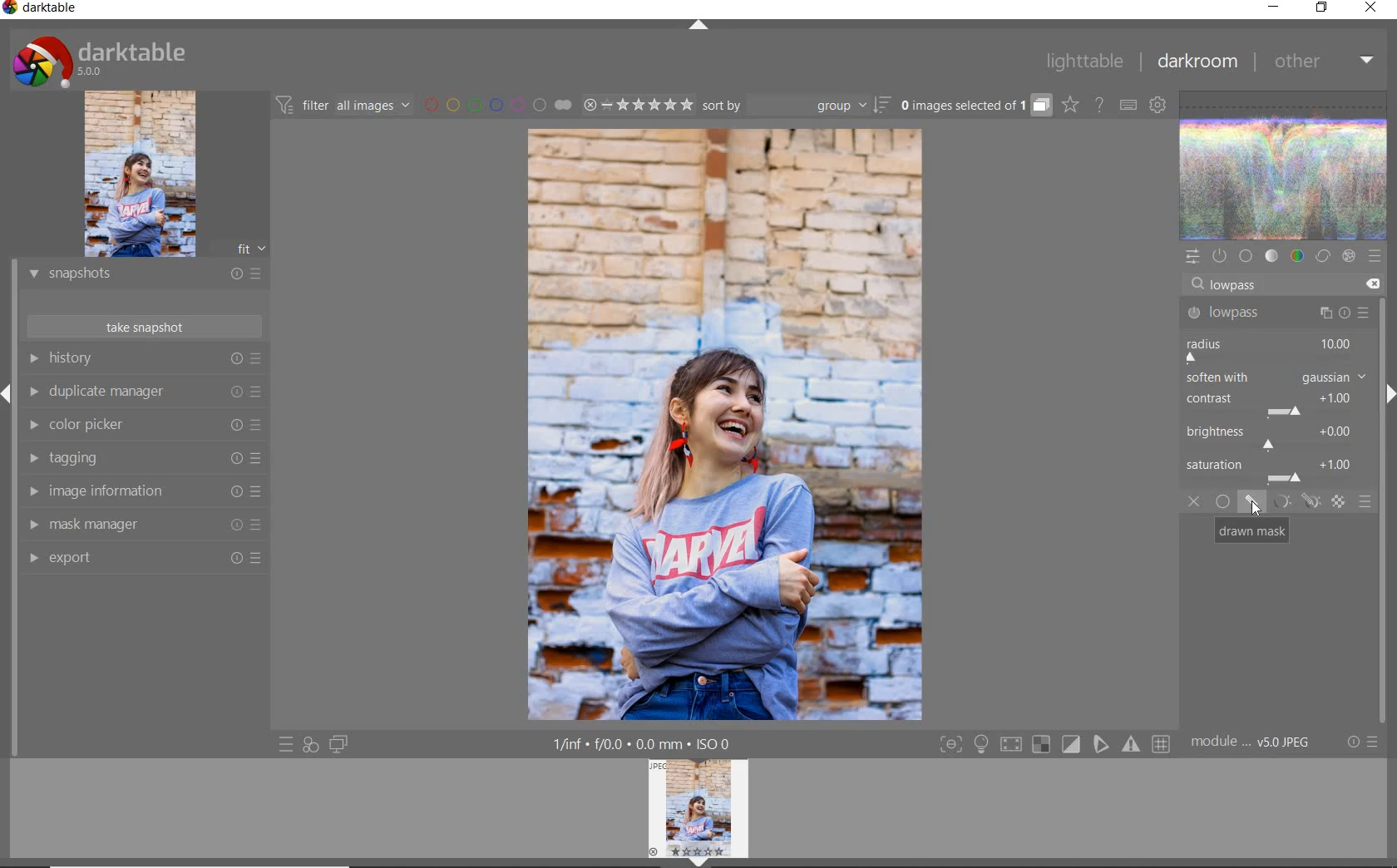 Image resolution: width=1397 pixels, height=868 pixels. I want to click on soften with, so click(1276, 377).